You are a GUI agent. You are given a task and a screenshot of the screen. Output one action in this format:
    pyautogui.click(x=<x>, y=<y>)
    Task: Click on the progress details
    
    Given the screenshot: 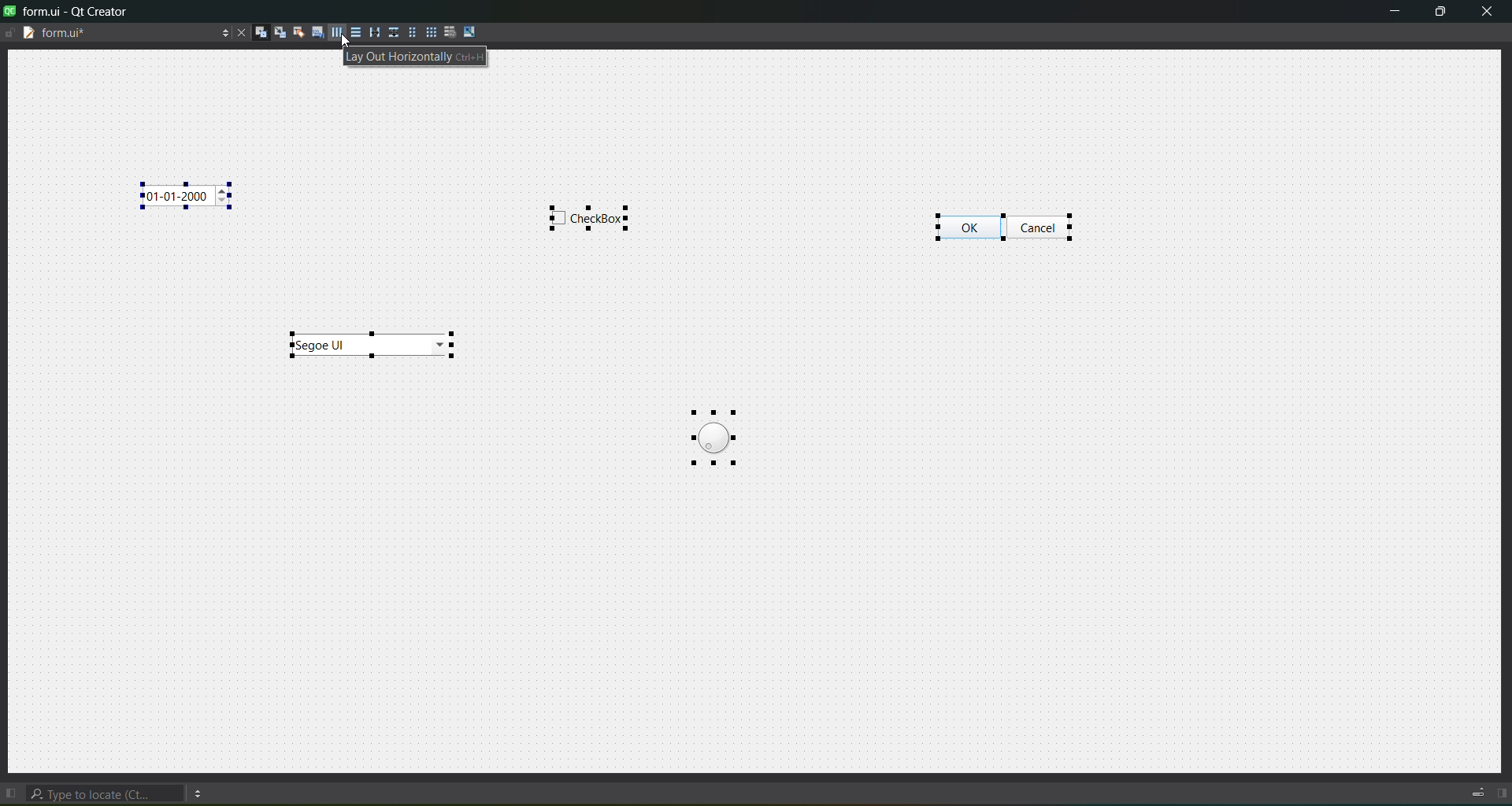 What is the action you would take?
    pyautogui.click(x=1477, y=793)
    